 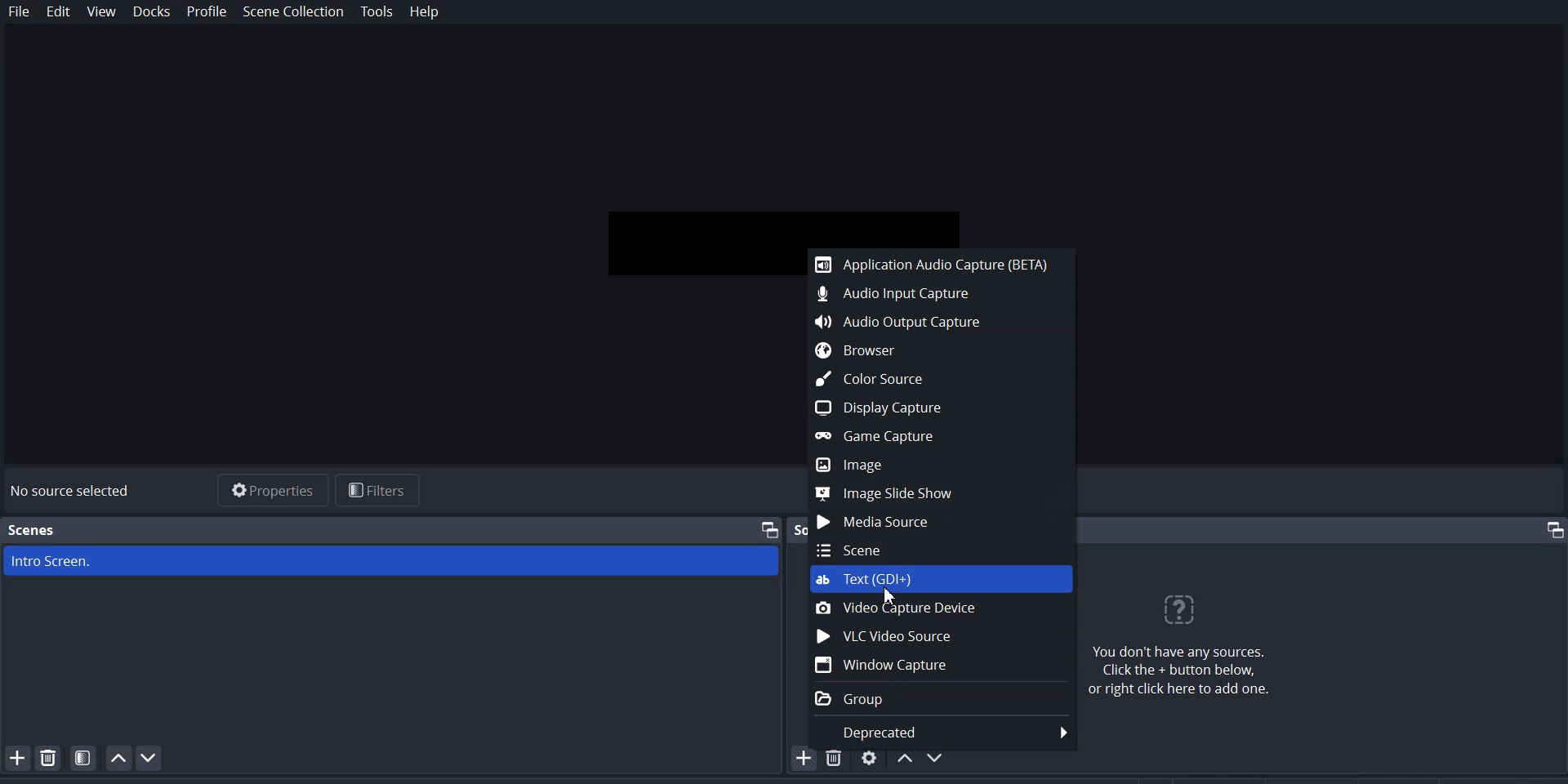 I want to click on Tools, so click(x=377, y=12).